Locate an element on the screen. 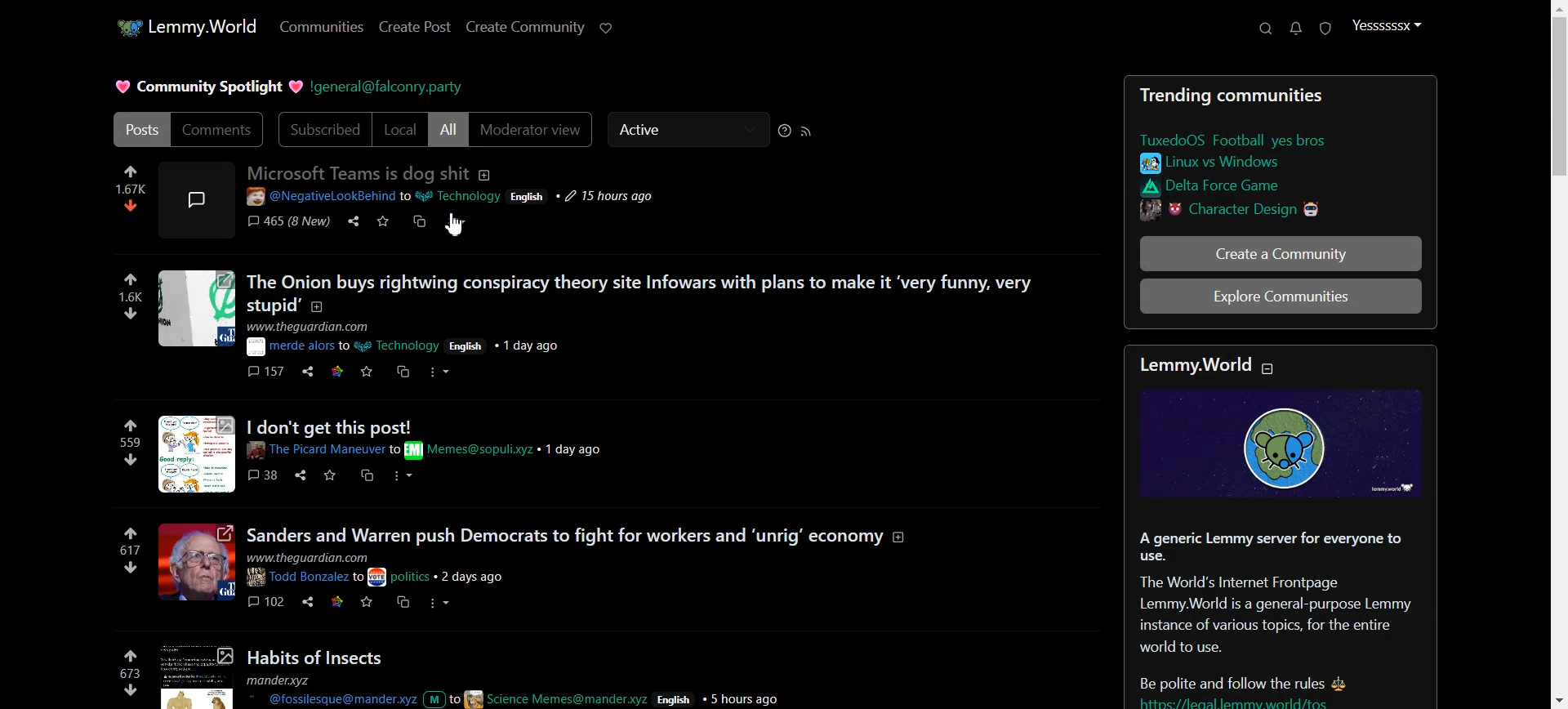  Hyperlink is located at coordinates (390, 87).